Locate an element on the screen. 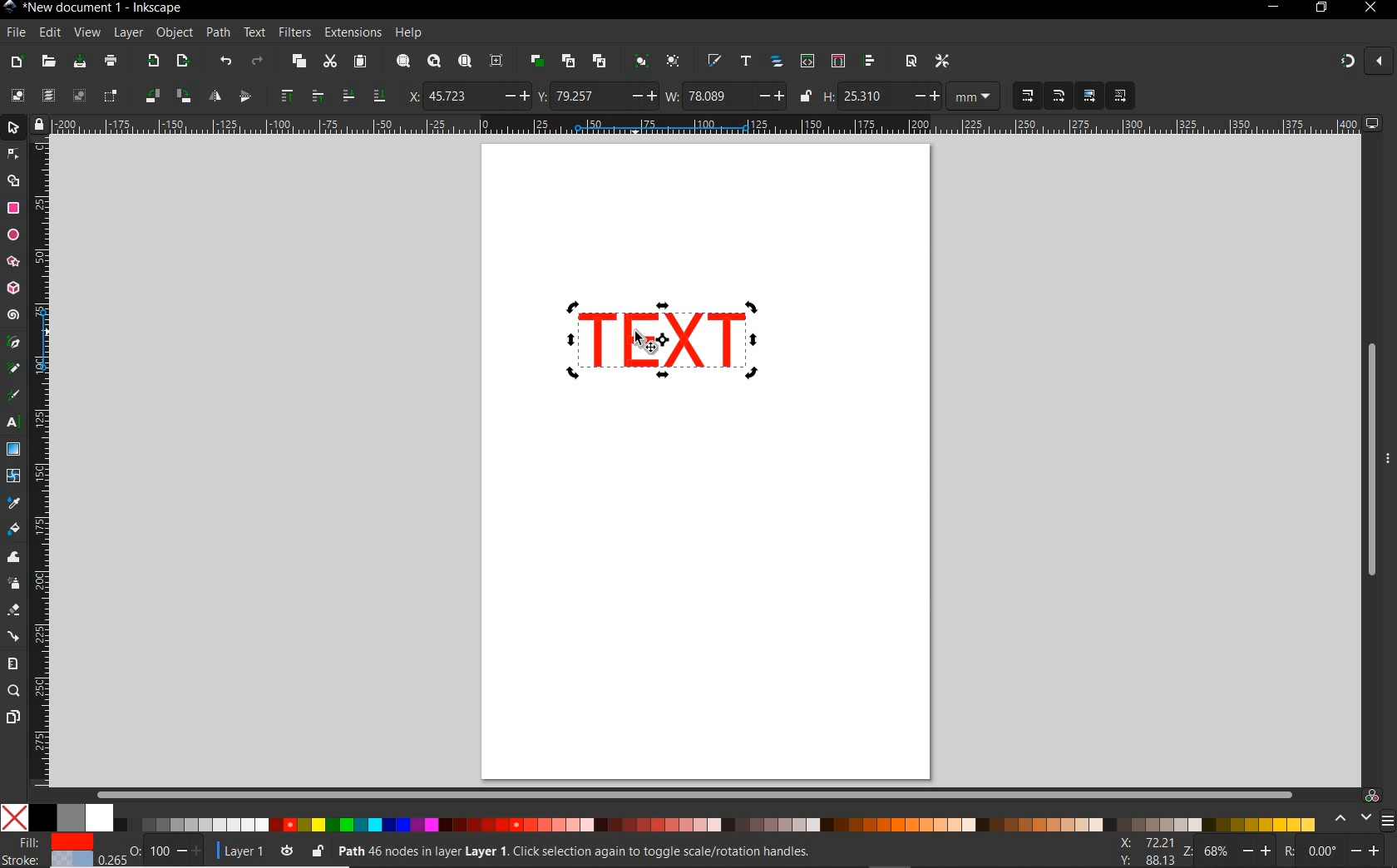 This screenshot has height=868, width=1397. OPEN XML EDITOR is located at coordinates (807, 62).